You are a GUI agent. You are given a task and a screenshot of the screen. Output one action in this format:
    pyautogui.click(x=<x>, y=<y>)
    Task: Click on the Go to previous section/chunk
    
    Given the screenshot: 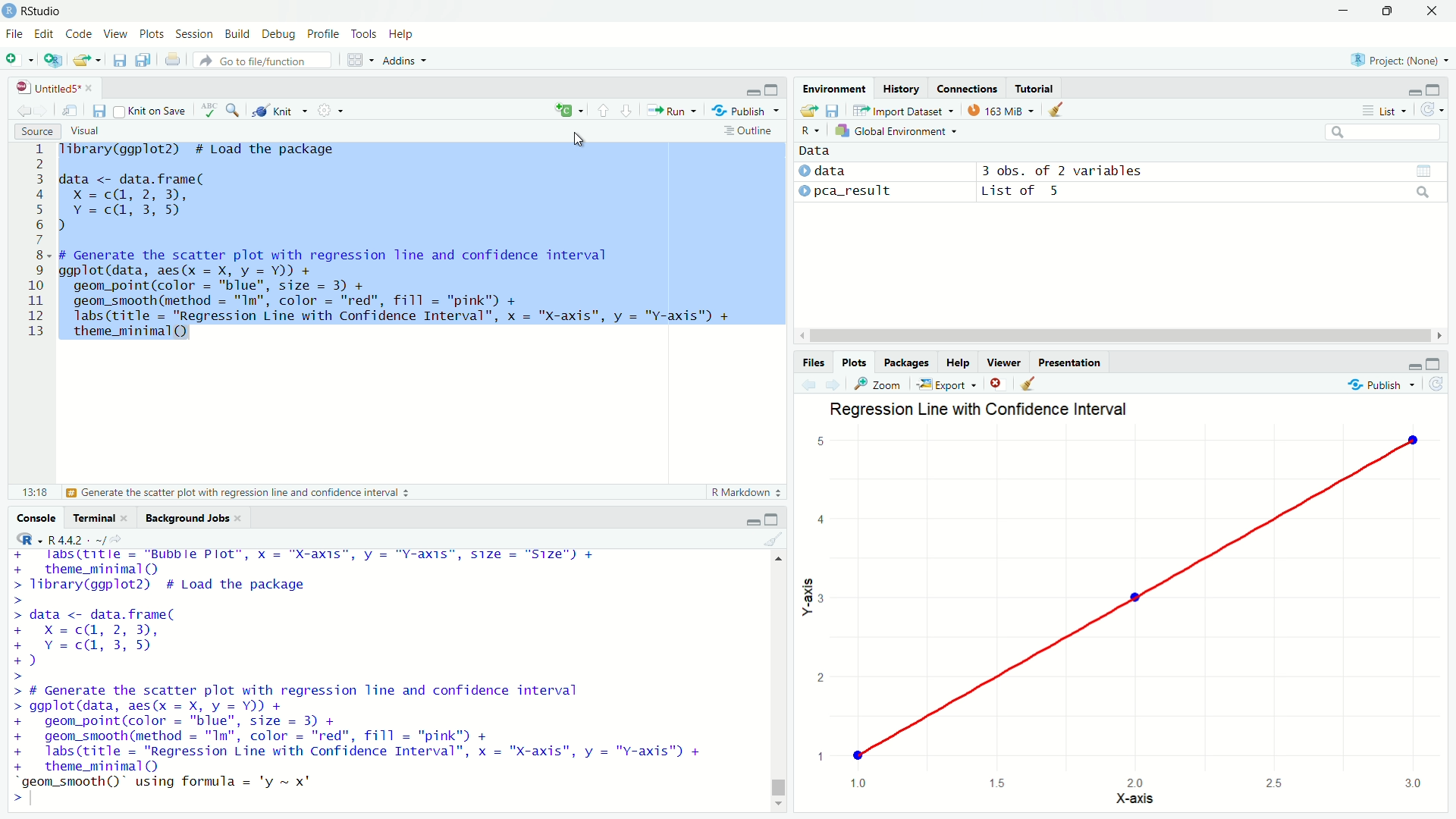 What is the action you would take?
    pyautogui.click(x=601, y=109)
    